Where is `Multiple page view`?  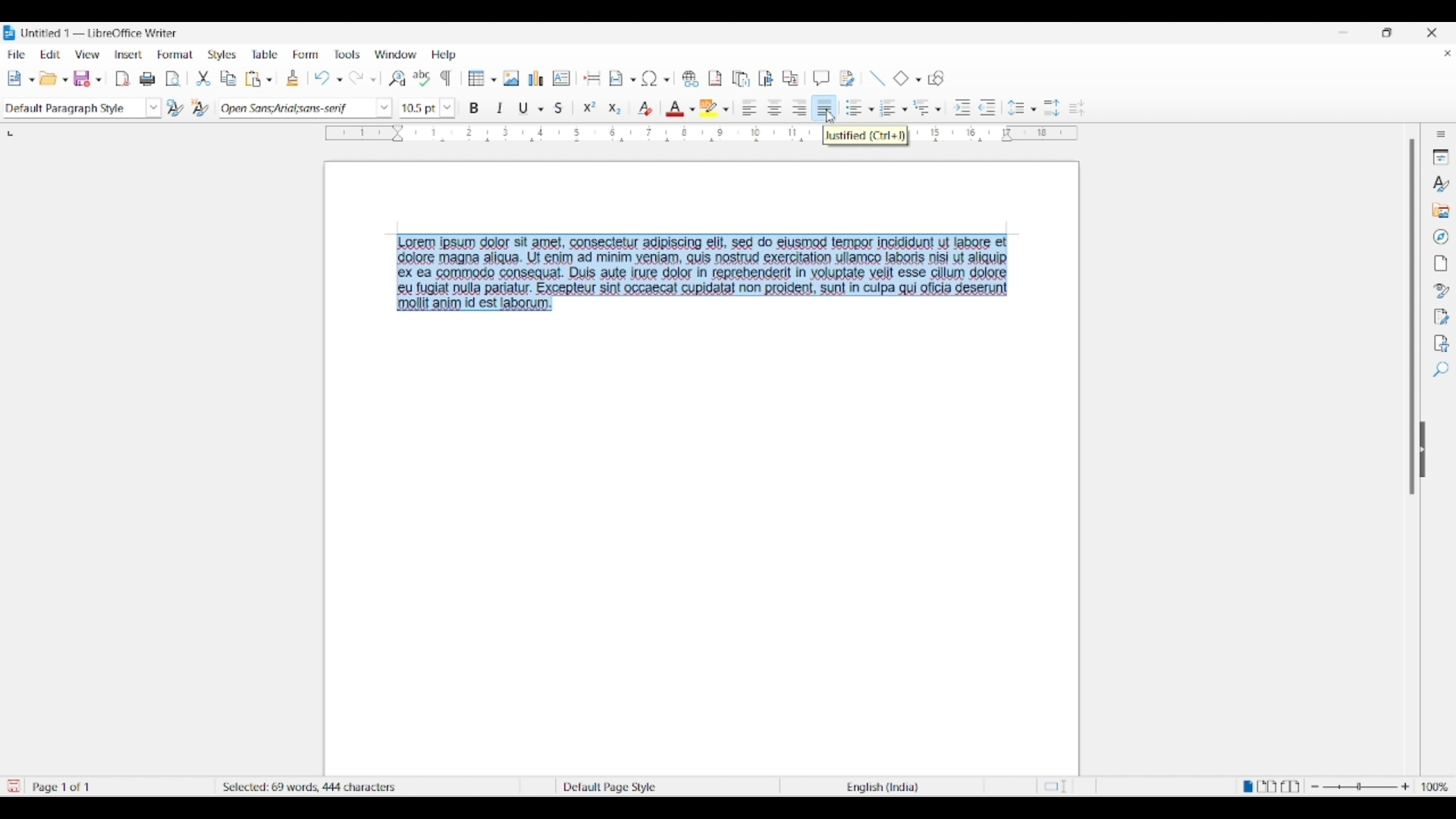
Multiple page view is located at coordinates (1268, 786).